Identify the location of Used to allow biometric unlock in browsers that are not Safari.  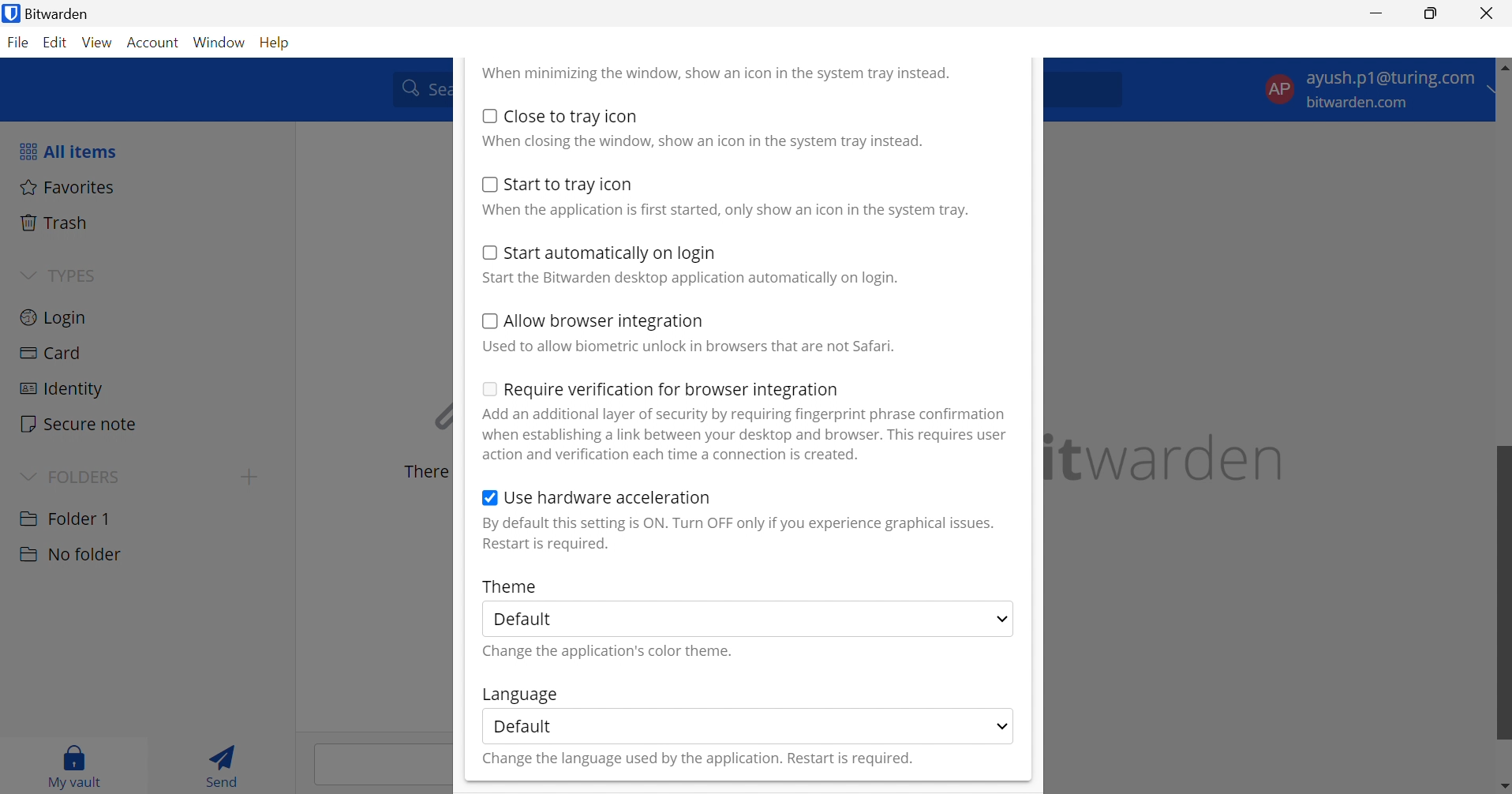
(688, 346).